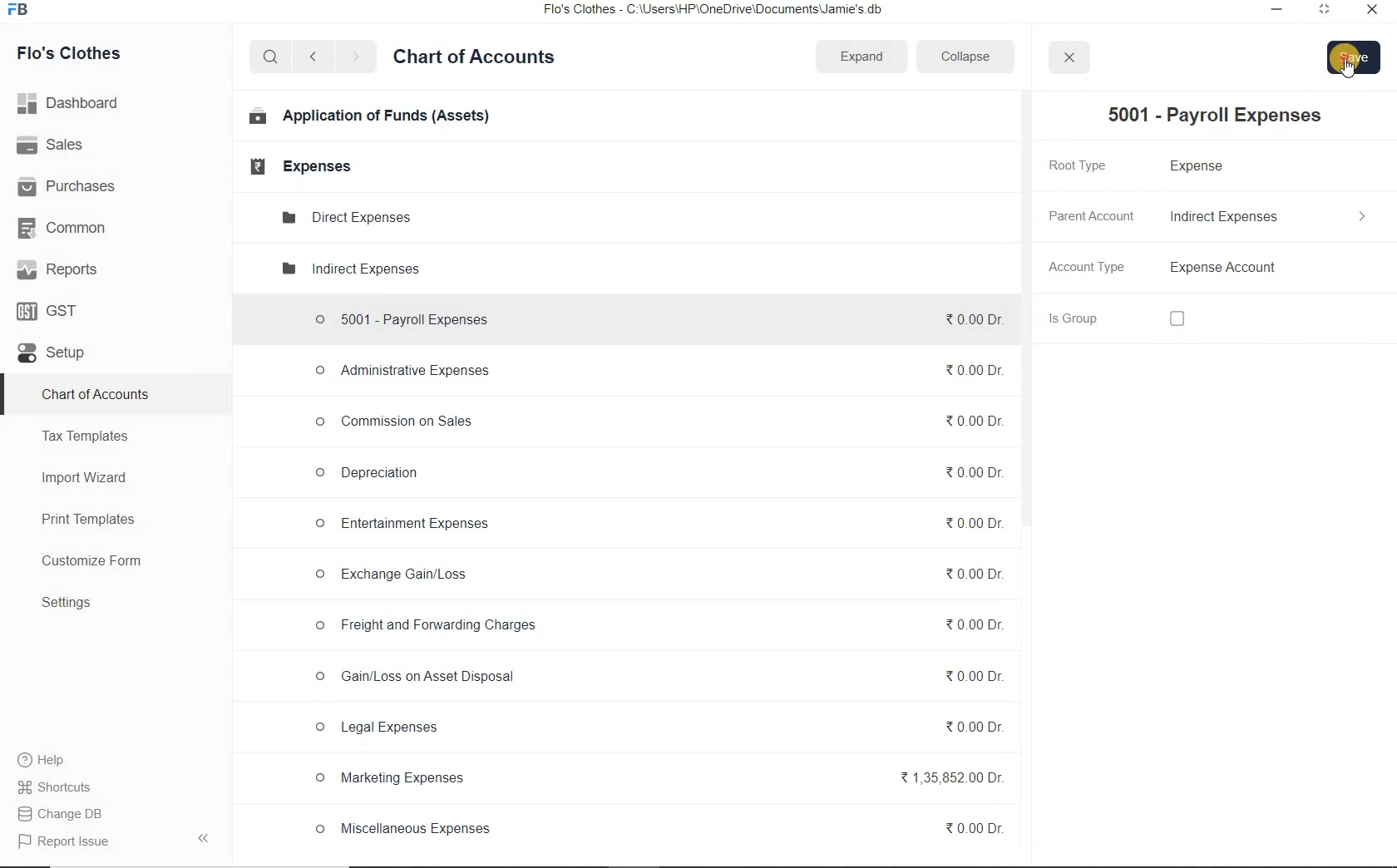 This screenshot has width=1397, height=868. I want to click on © Miscellaneous Expenses %0.00Dr., so click(657, 829).